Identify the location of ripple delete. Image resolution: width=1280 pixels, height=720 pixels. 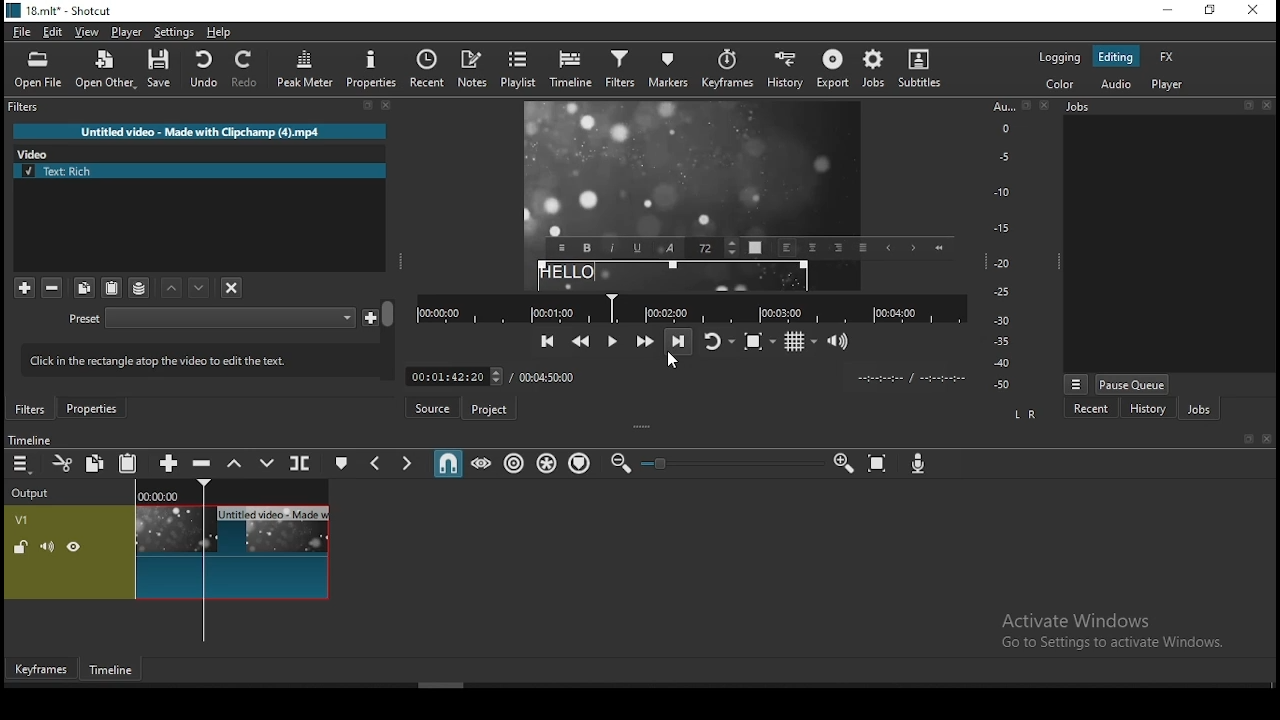
(204, 464).